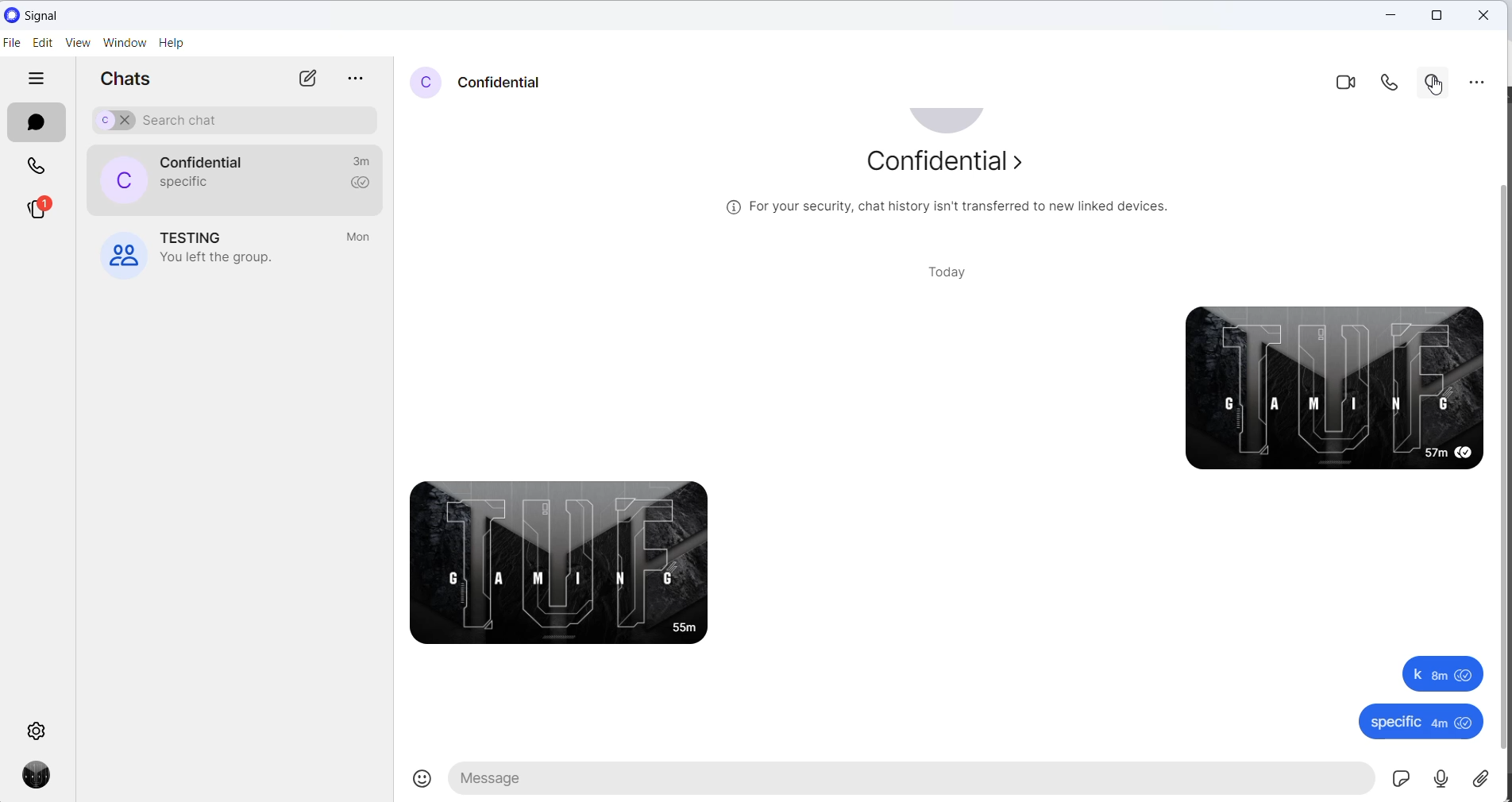  What do you see at coordinates (1346, 83) in the screenshot?
I see `video call` at bounding box center [1346, 83].